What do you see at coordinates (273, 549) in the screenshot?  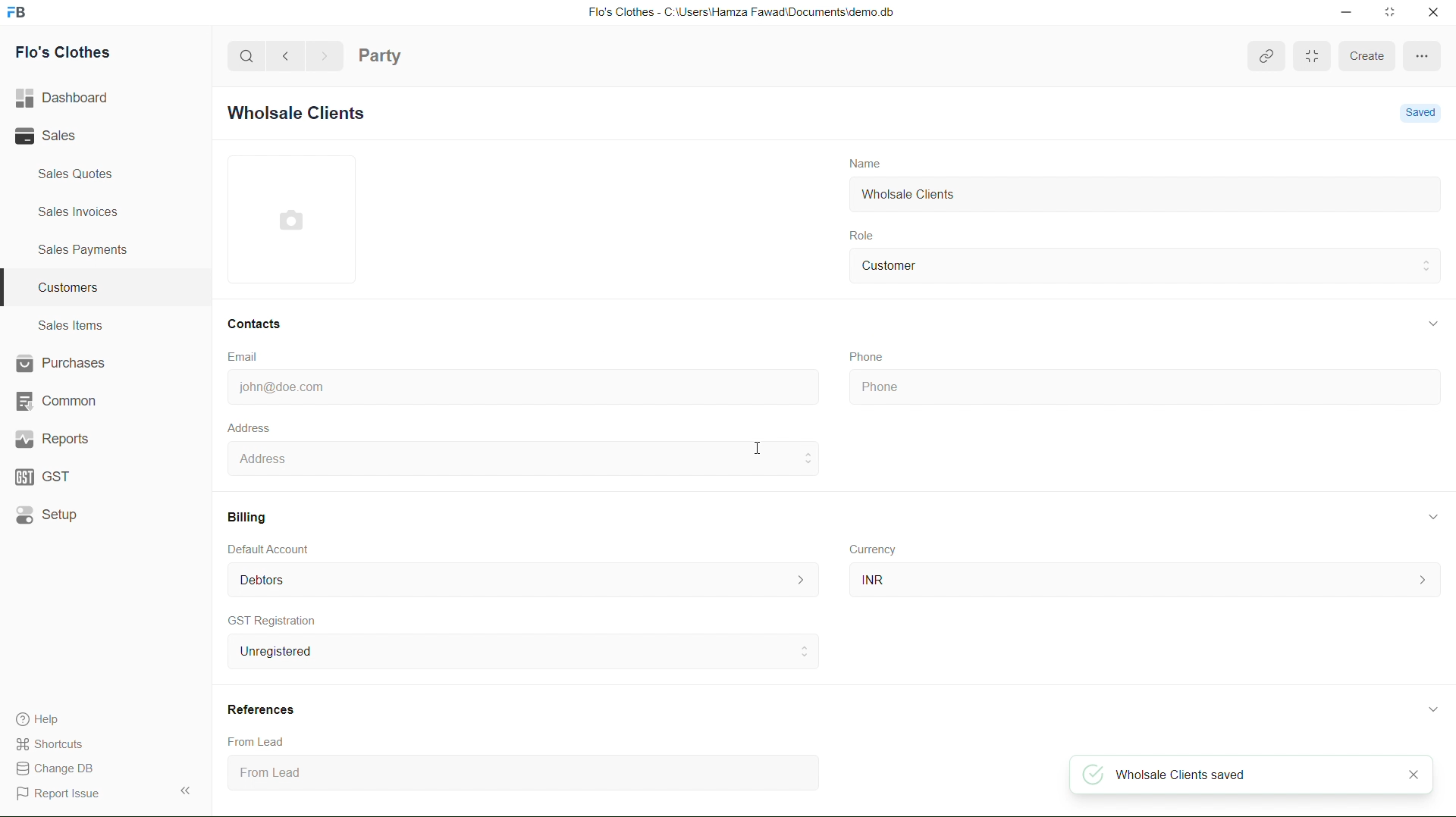 I see `Default Account` at bounding box center [273, 549].